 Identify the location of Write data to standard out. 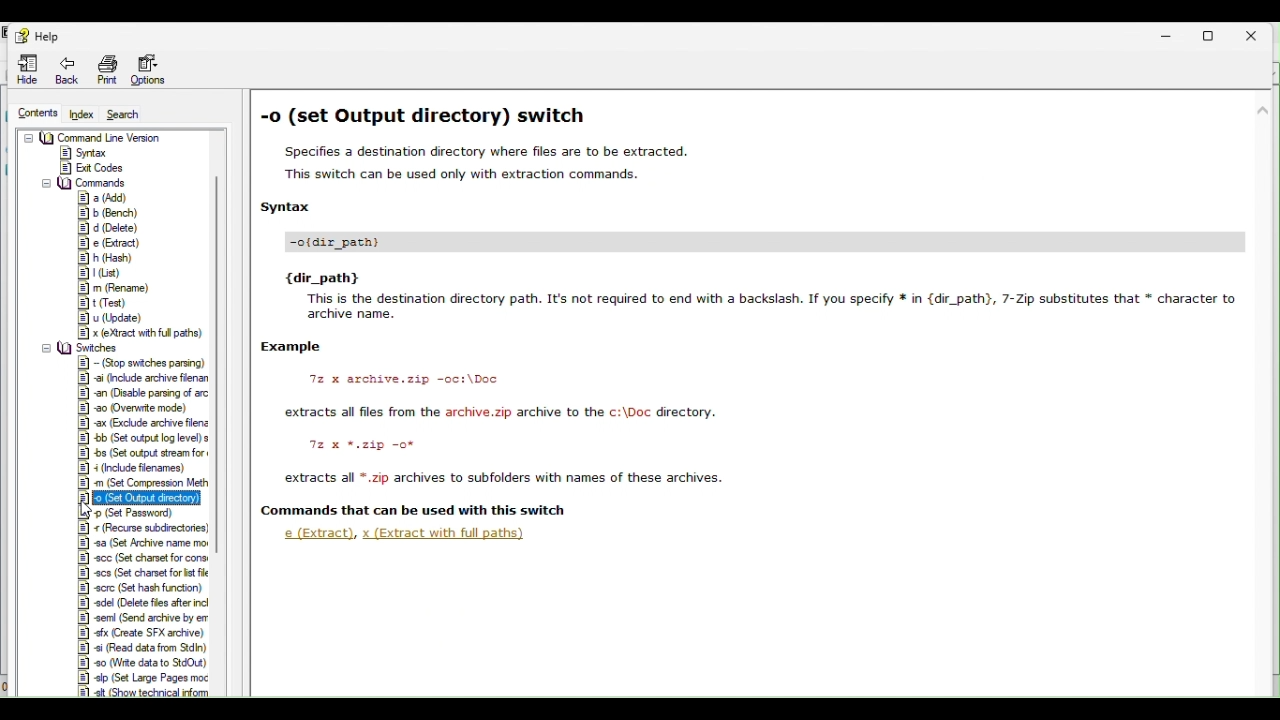
(140, 663).